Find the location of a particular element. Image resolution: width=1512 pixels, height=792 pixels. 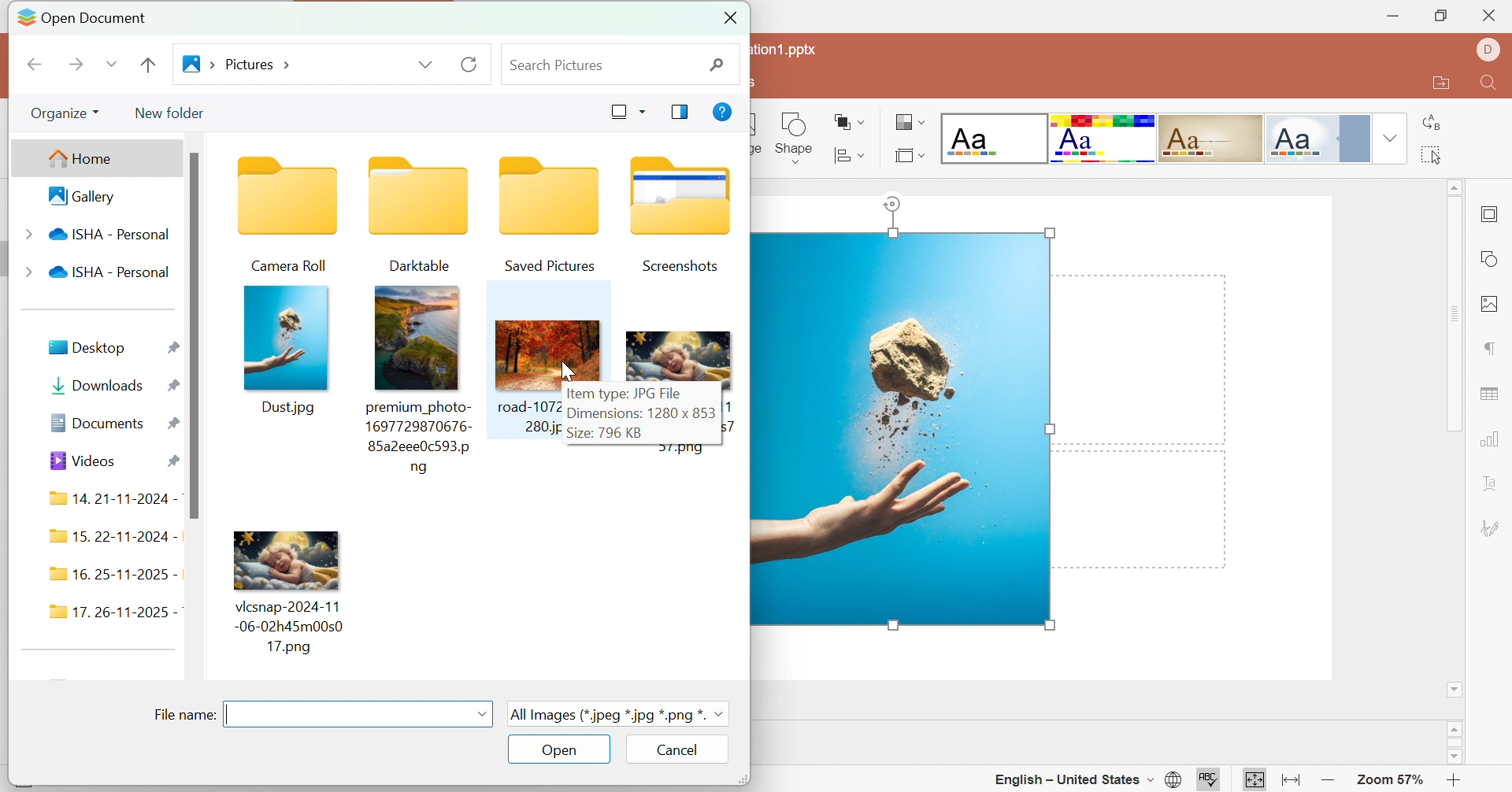

Gallery is located at coordinates (85, 193).